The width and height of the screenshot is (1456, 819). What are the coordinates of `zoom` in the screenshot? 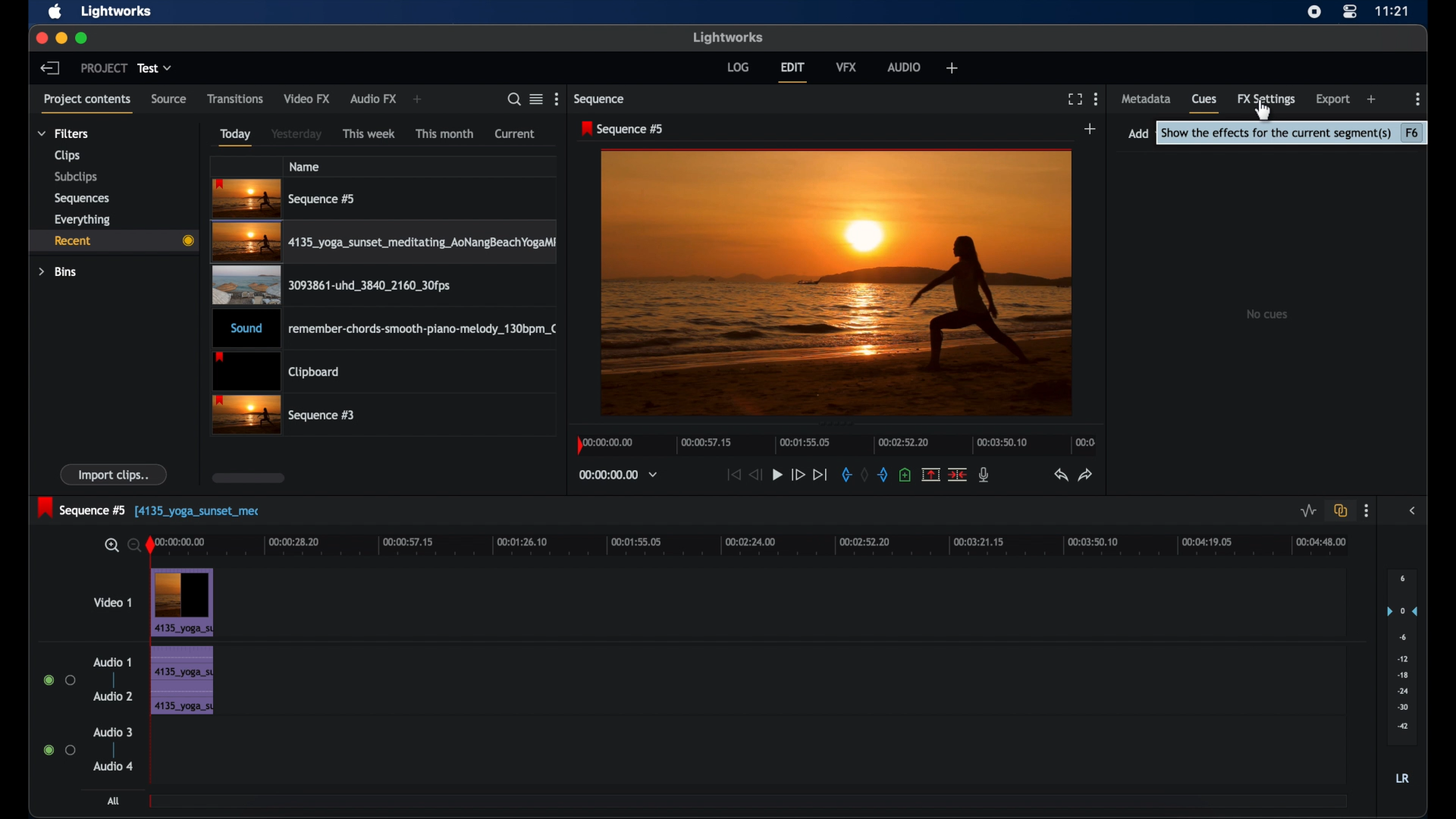 It's located at (118, 546).